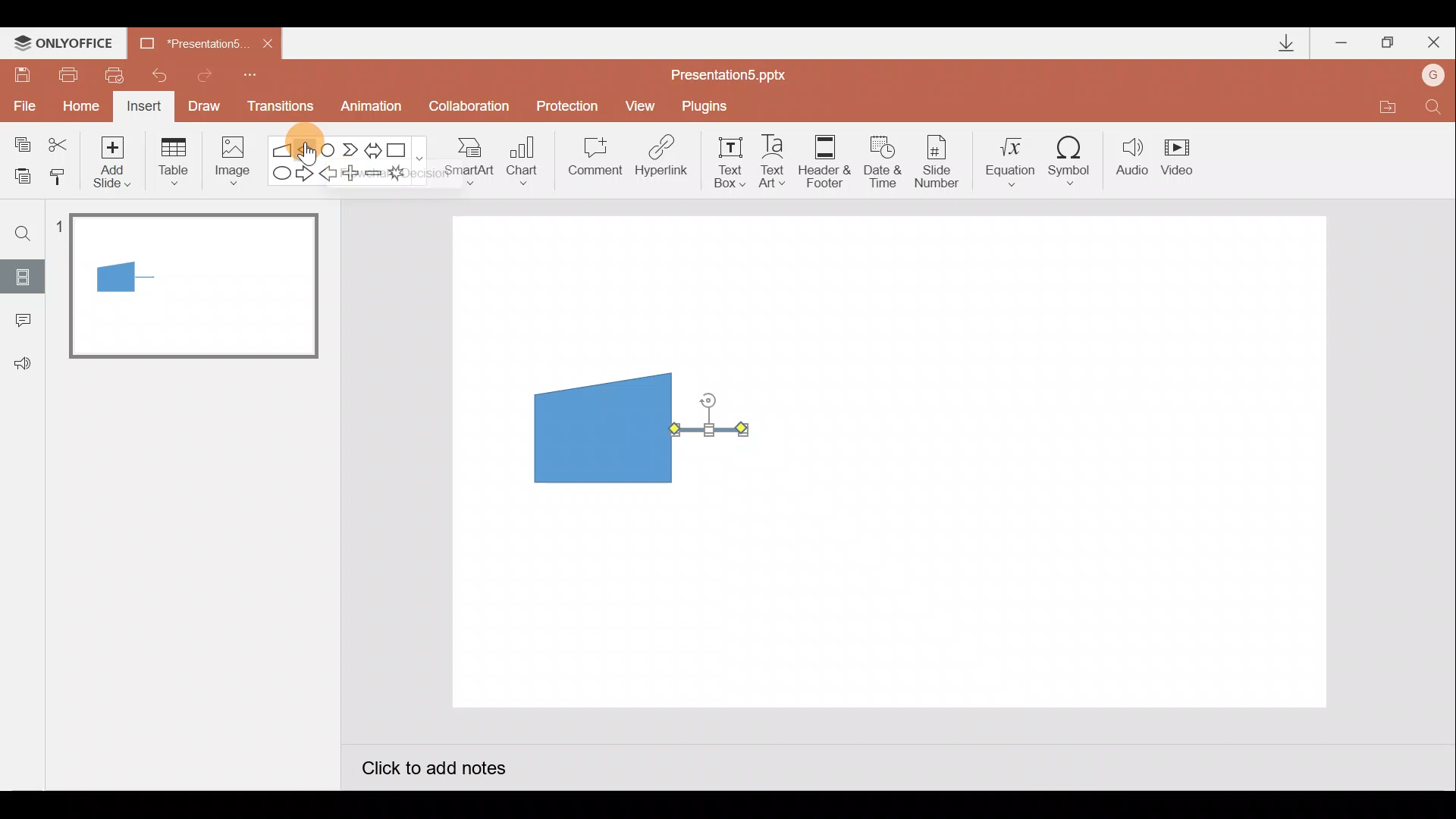 The image size is (1456, 819). What do you see at coordinates (278, 108) in the screenshot?
I see `Transitions` at bounding box center [278, 108].